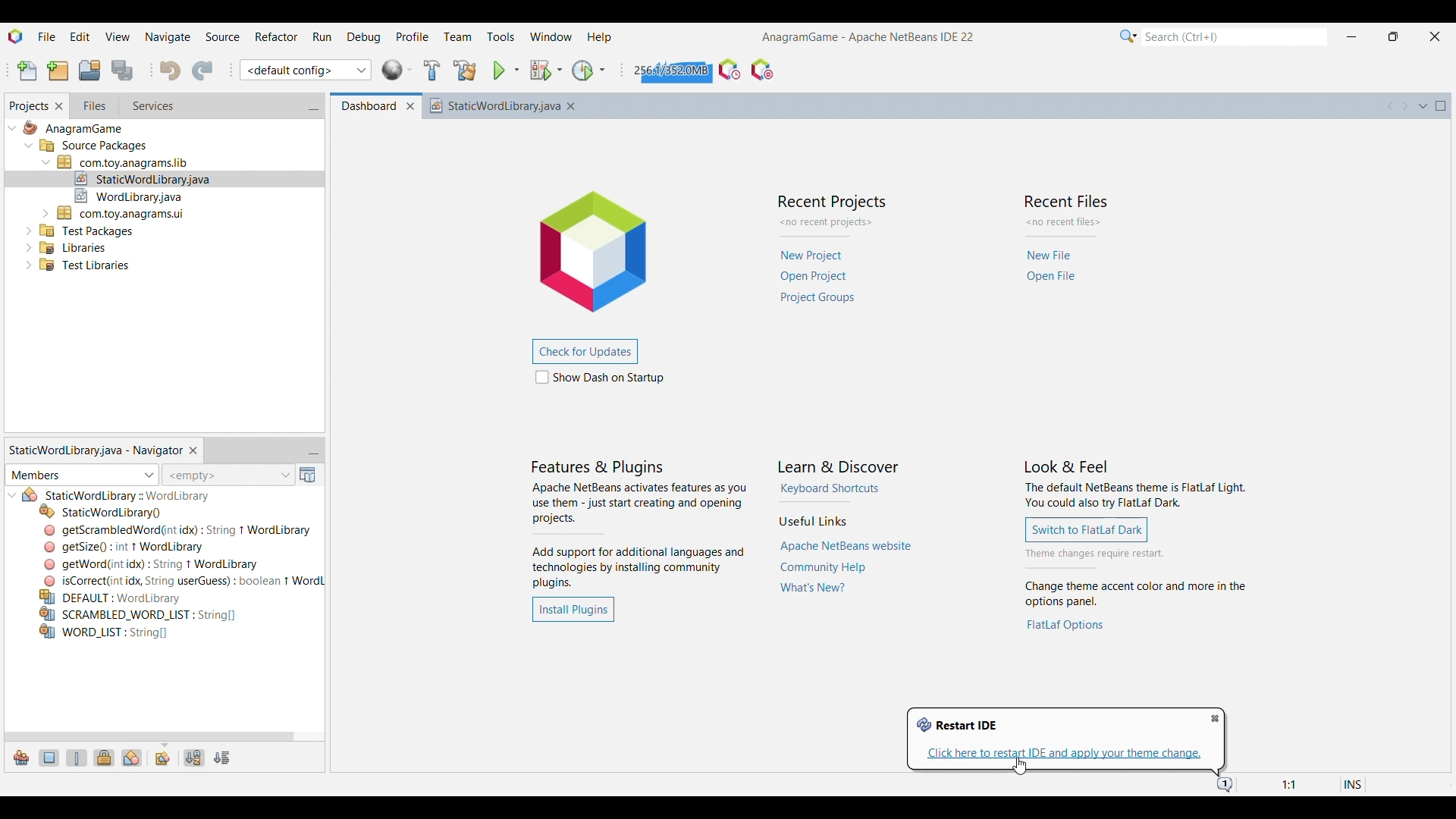  What do you see at coordinates (507, 105) in the screenshot?
I see `StaticWordLibraryjava X` at bounding box center [507, 105].